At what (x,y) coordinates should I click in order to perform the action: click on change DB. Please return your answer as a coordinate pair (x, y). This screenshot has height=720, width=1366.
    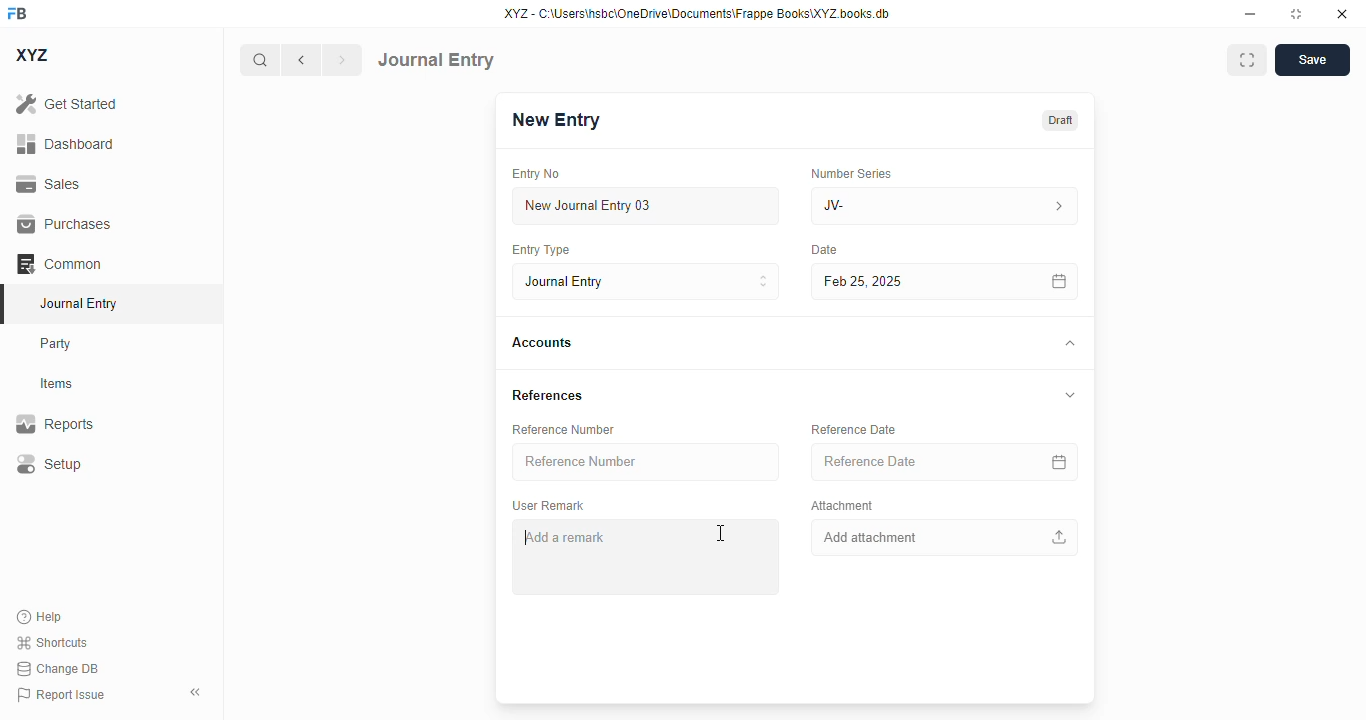
    Looking at the image, I should click on (58, 668).